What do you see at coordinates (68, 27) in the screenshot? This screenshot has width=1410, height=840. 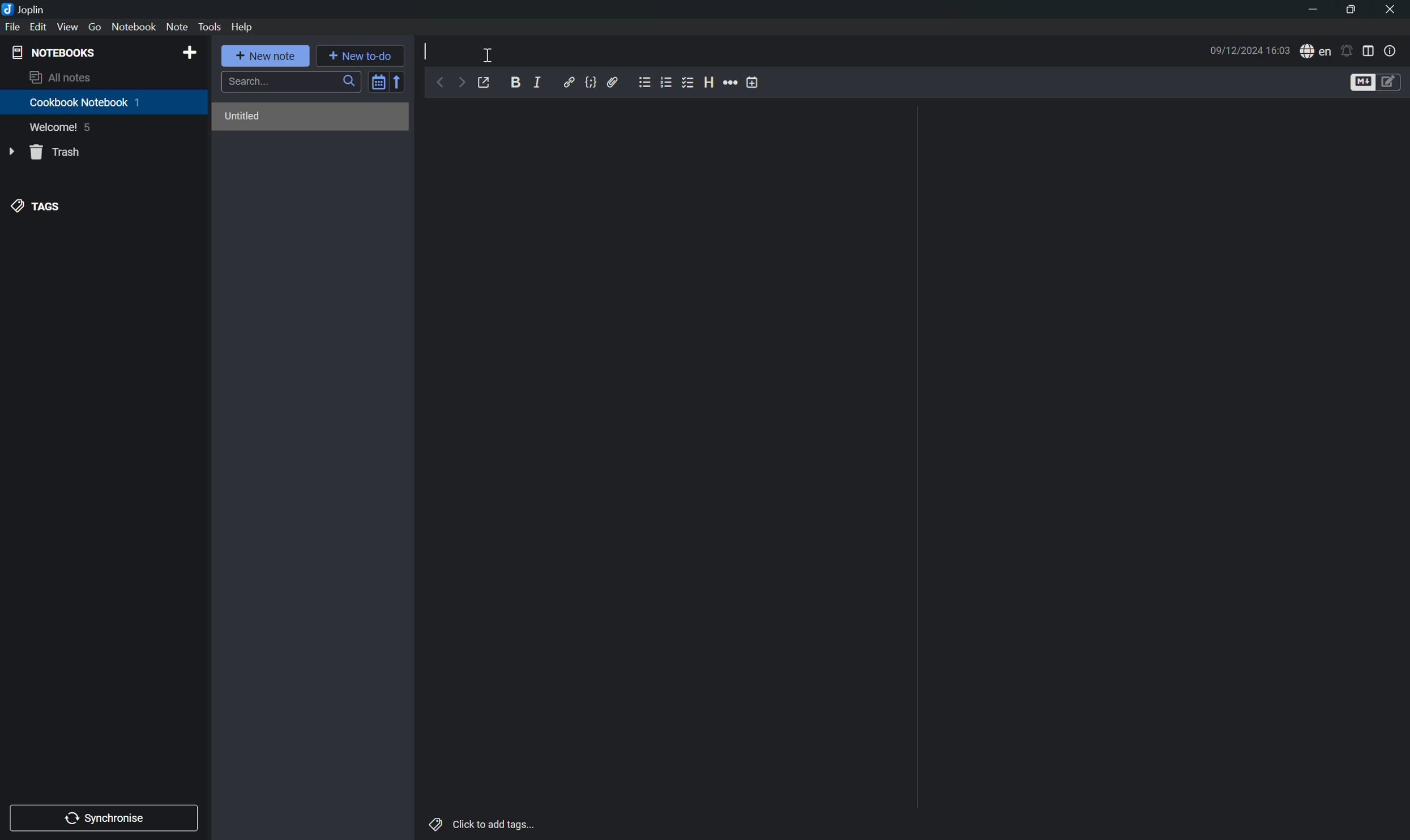 I see `View` at bounding box center [68, 27].